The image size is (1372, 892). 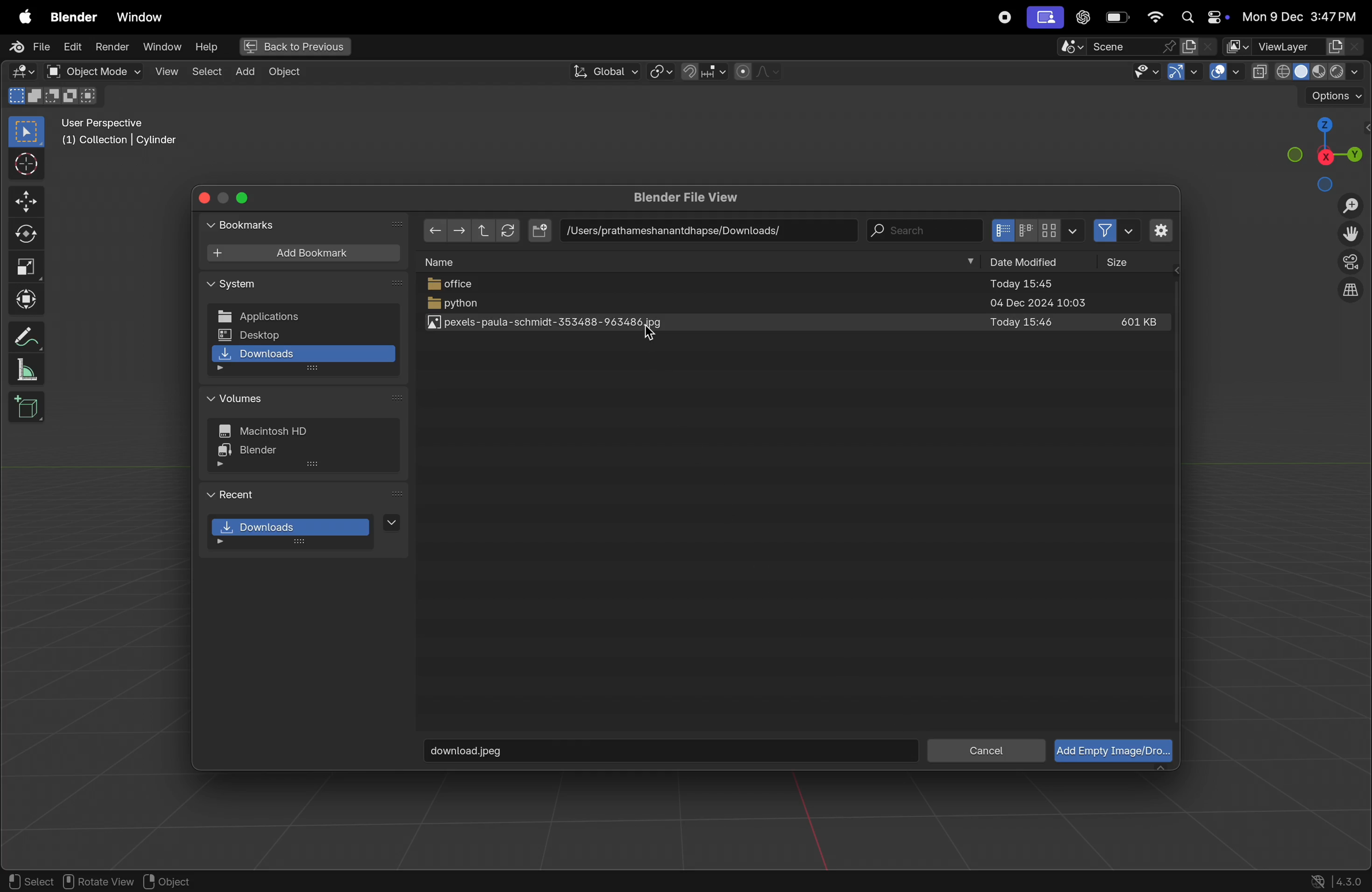 I want to click on Apple menu, so click(x=21, y=14).